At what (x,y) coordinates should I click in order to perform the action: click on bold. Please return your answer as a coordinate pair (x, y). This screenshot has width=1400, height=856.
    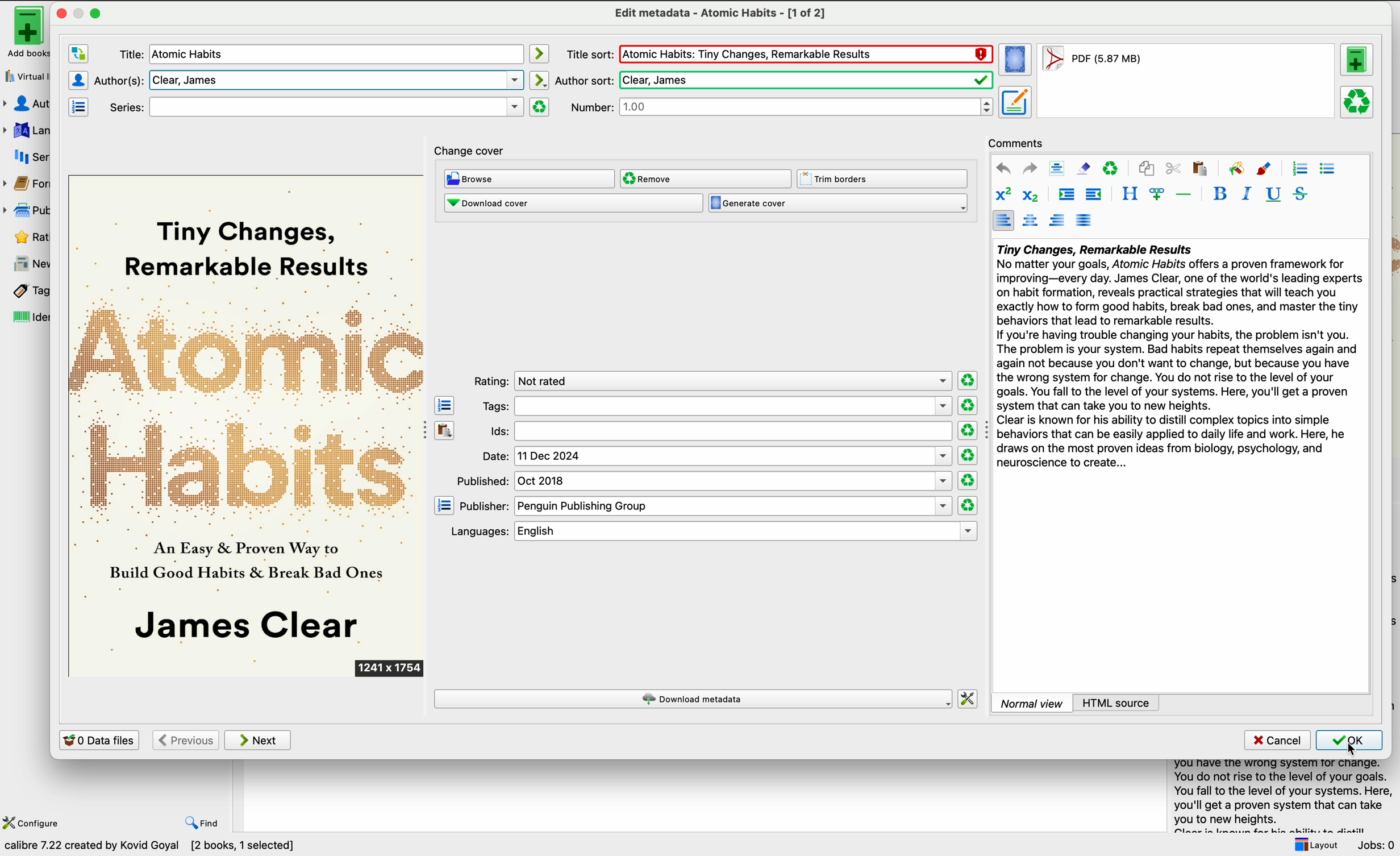
    Looking at the image, I should click on (1220, 193).